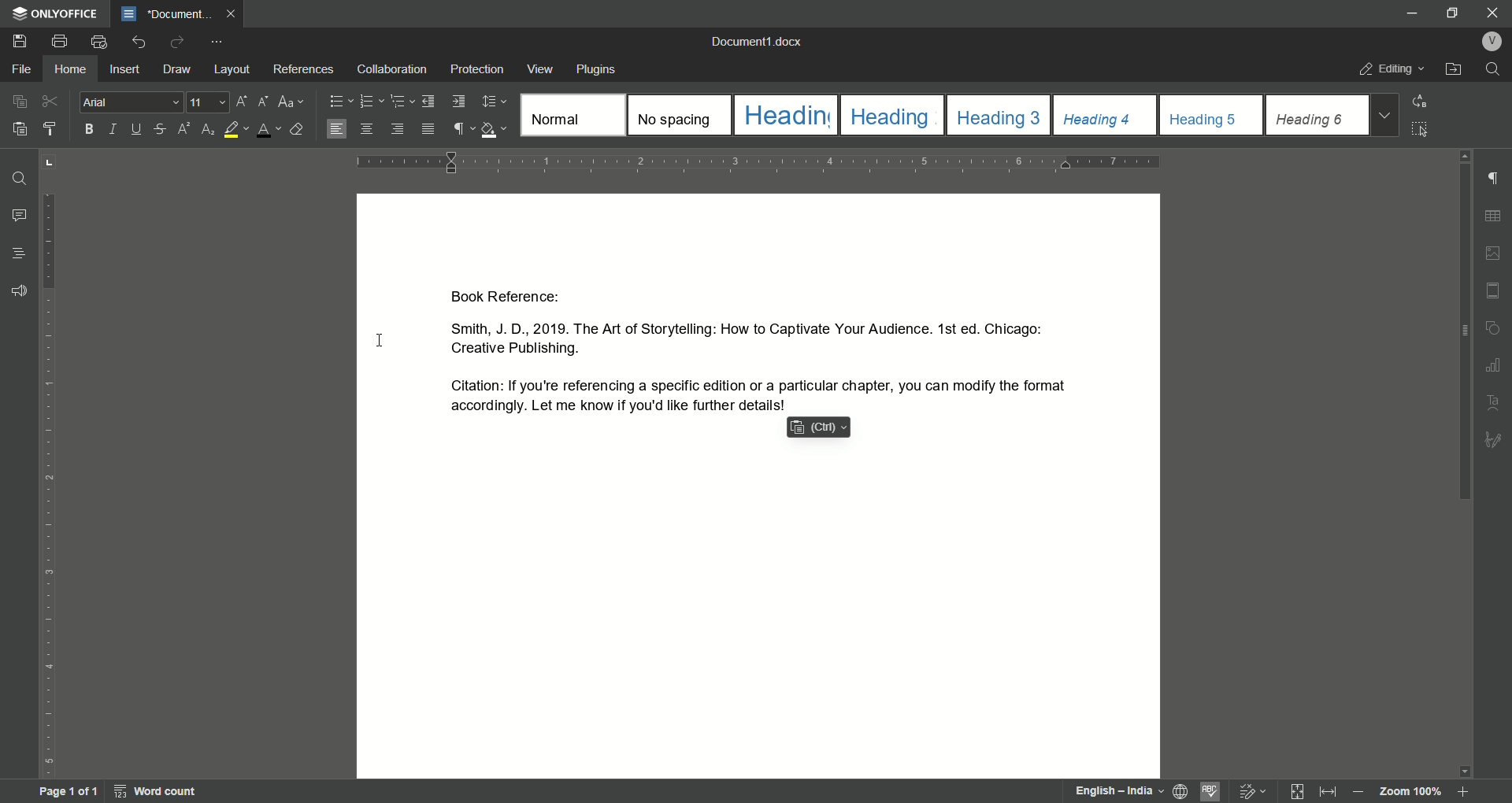 This screenshot has width=1512, height=803. I want to click on document name, so click(757, 40).